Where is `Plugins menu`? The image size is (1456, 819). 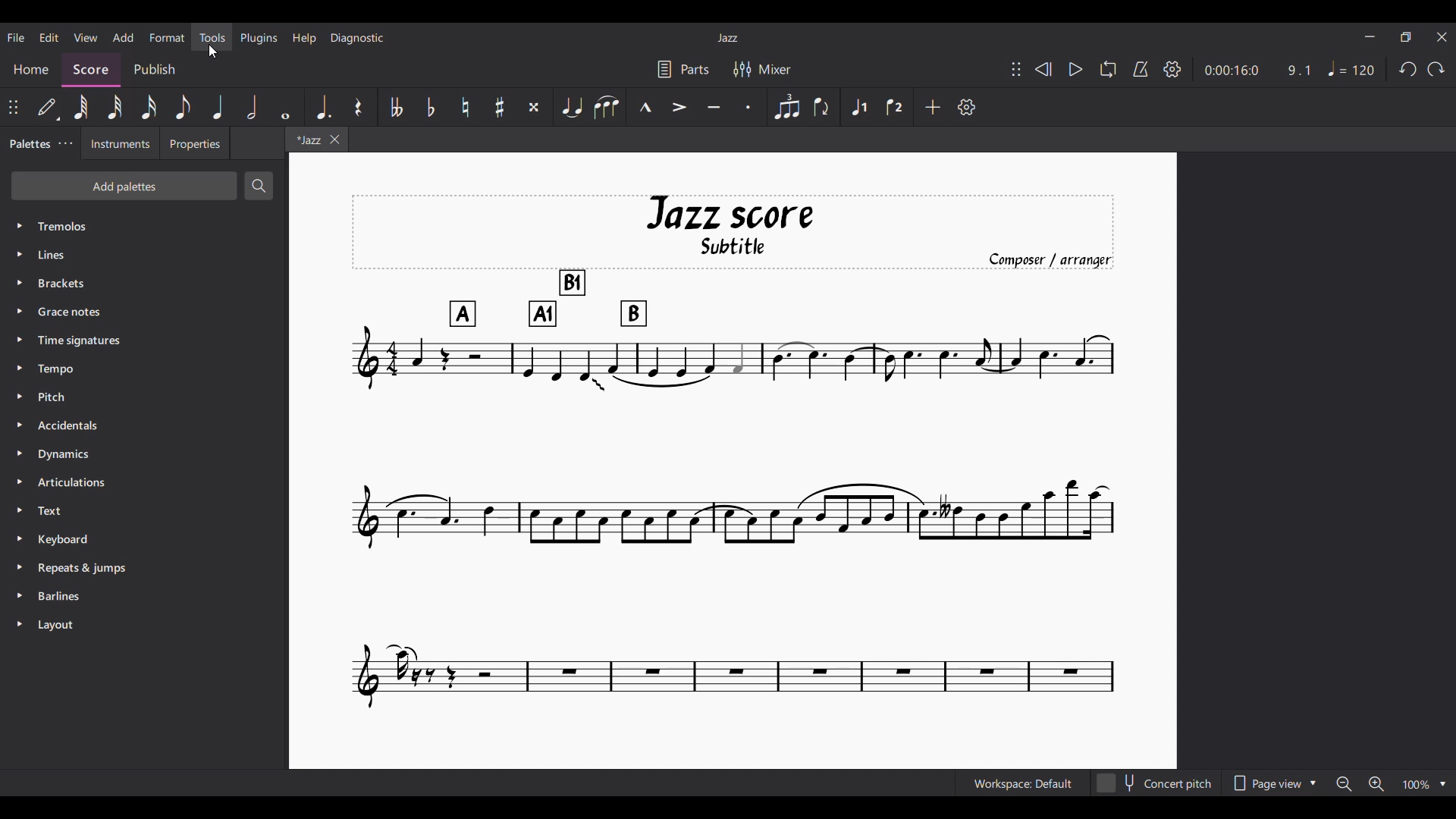
Plugins menu is located at coordinates (259, 38).